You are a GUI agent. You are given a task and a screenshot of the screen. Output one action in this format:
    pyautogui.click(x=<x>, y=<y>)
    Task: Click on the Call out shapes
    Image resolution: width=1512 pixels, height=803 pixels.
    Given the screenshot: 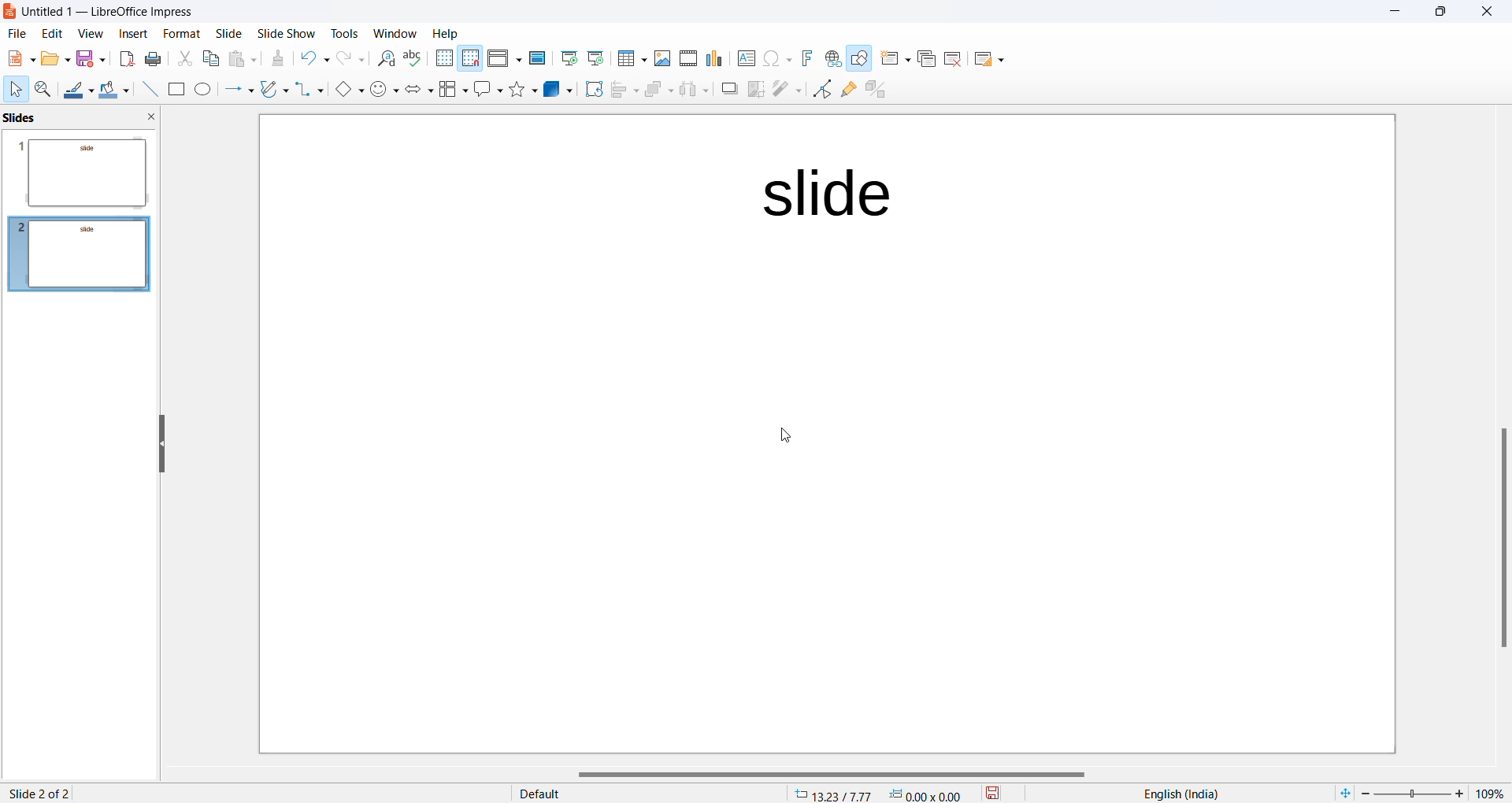 What is the action you would take?
    pyautogui.click(x=486, y=90)
    